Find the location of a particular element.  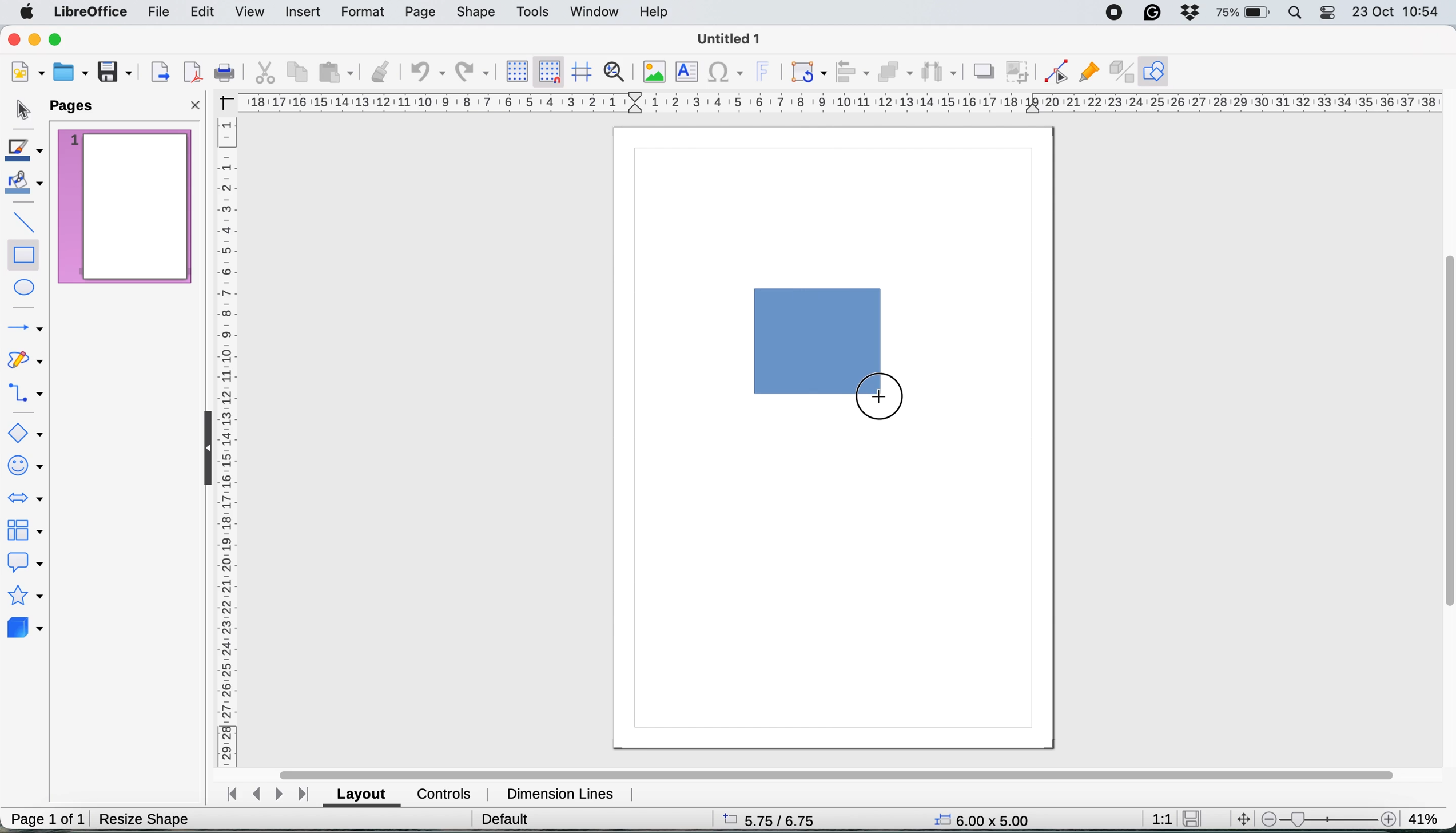

redp is located at coordinates (469, 73).